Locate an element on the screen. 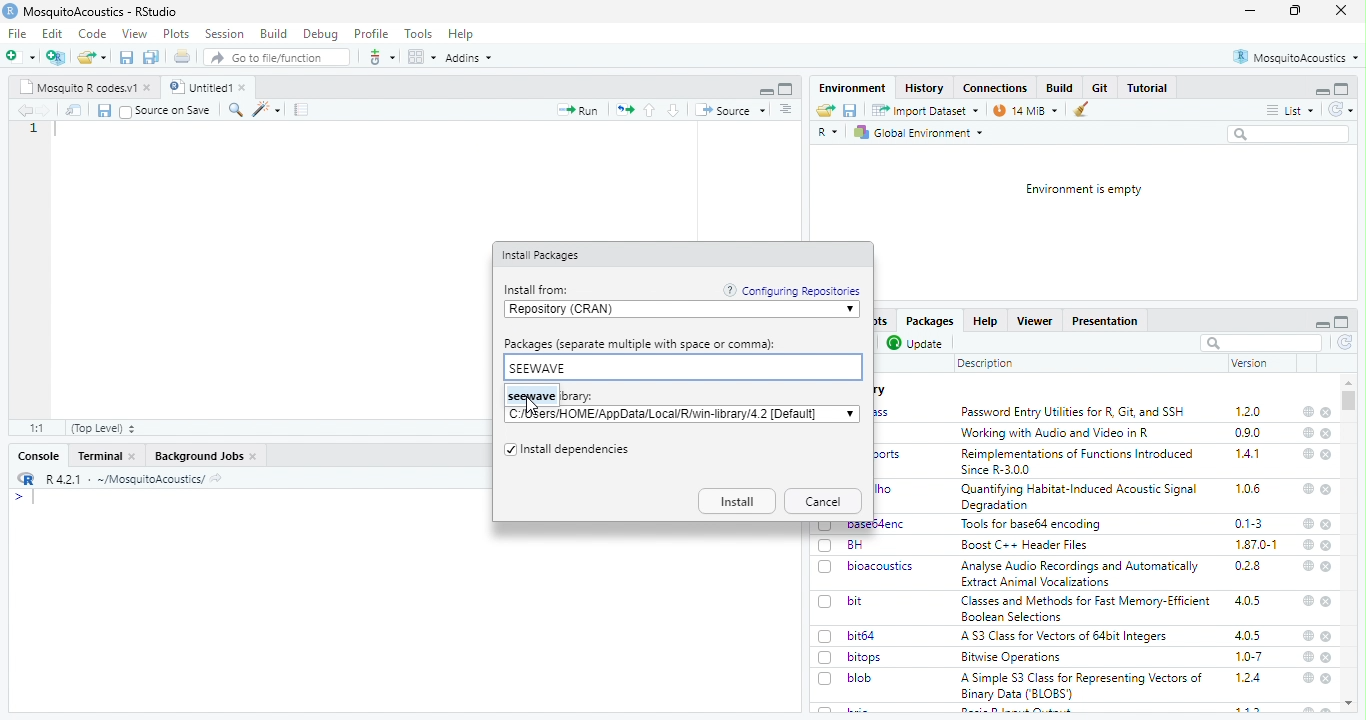 This screenshot has width=1366, height=720. Environment is located at coordinates (854, 88).